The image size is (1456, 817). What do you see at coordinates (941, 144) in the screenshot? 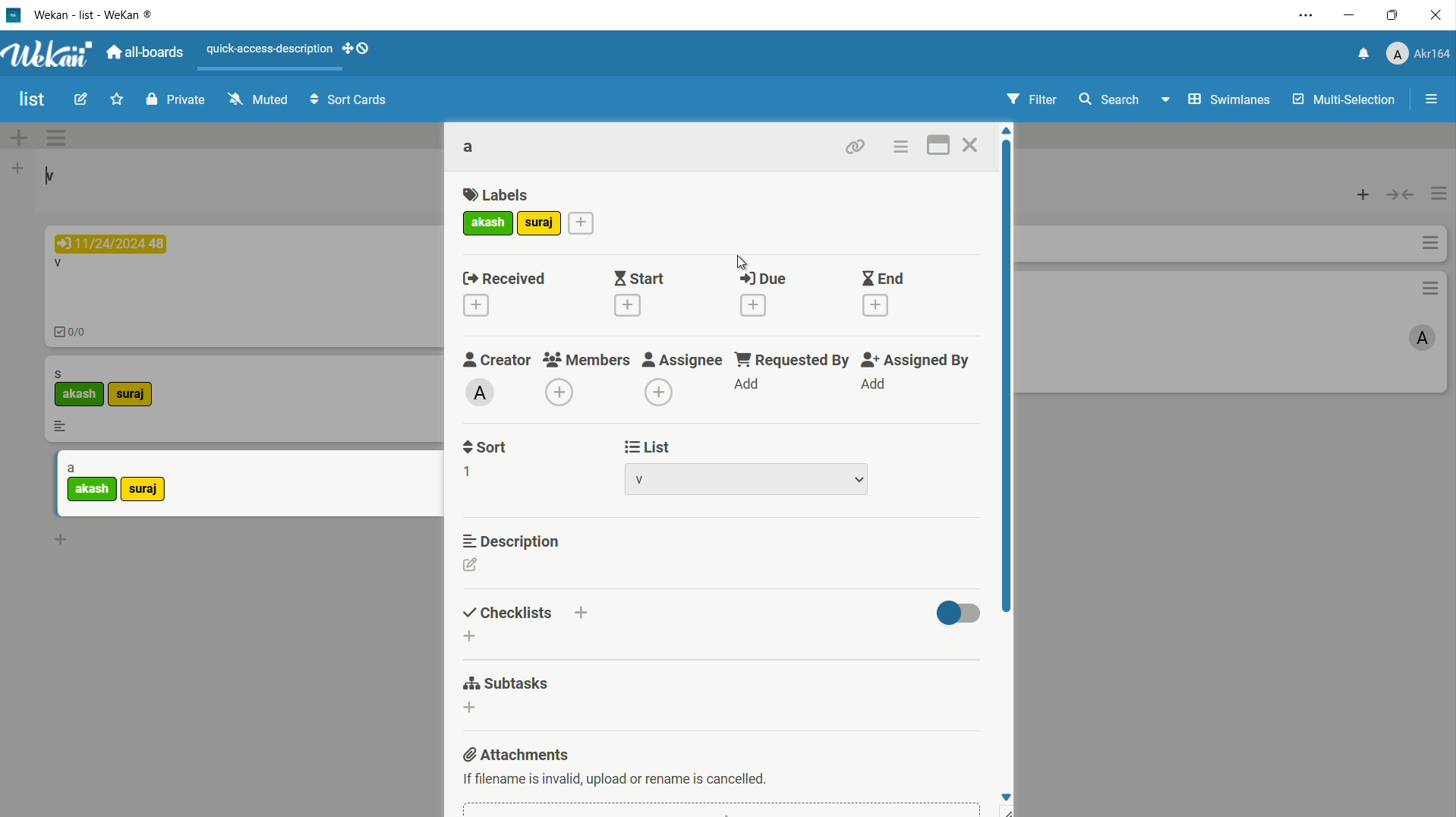
I see `maximize card` at bounding box center [941, 144].